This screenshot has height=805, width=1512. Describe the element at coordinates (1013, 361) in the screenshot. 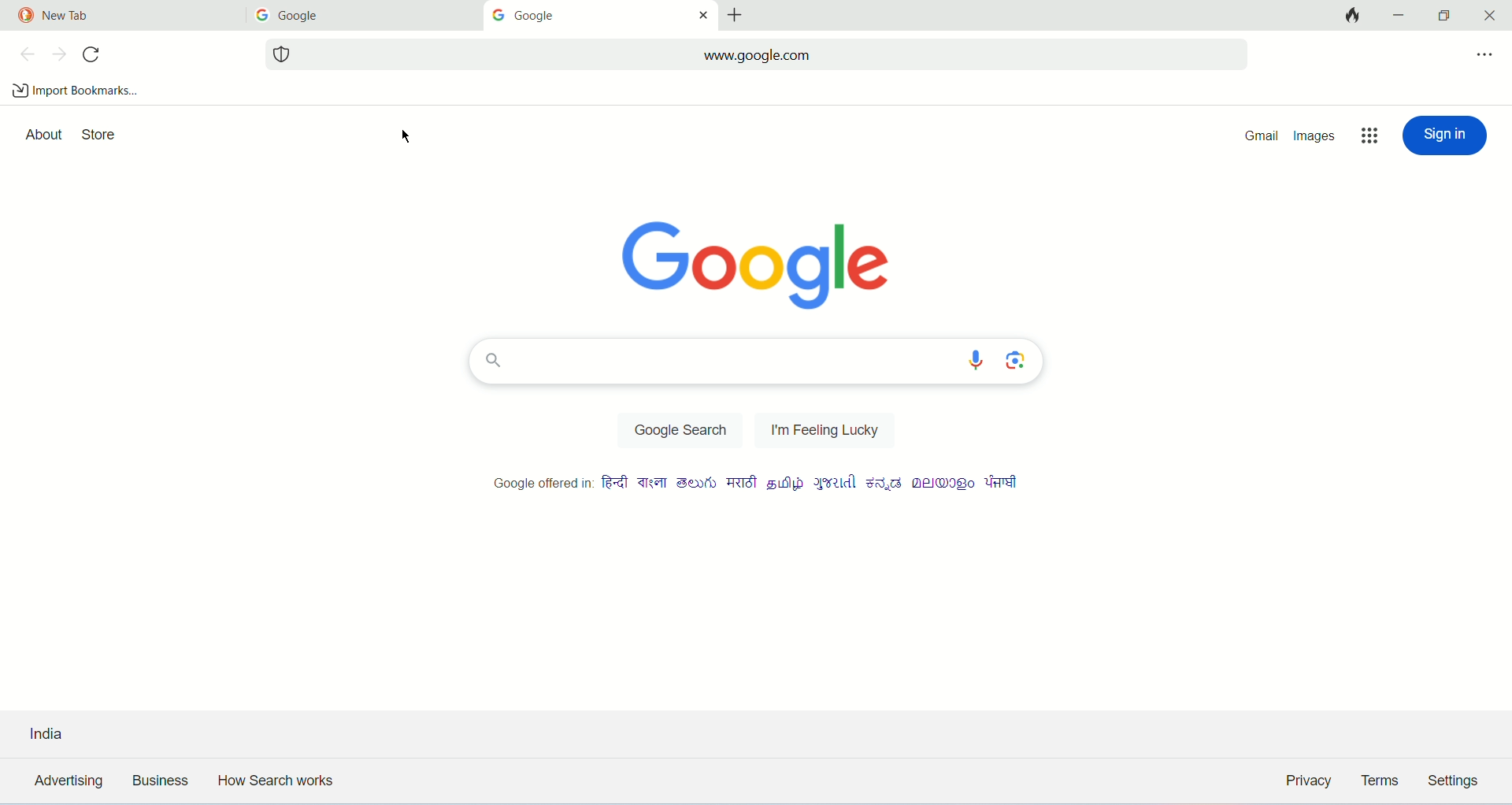

I see `search by image` at that location.